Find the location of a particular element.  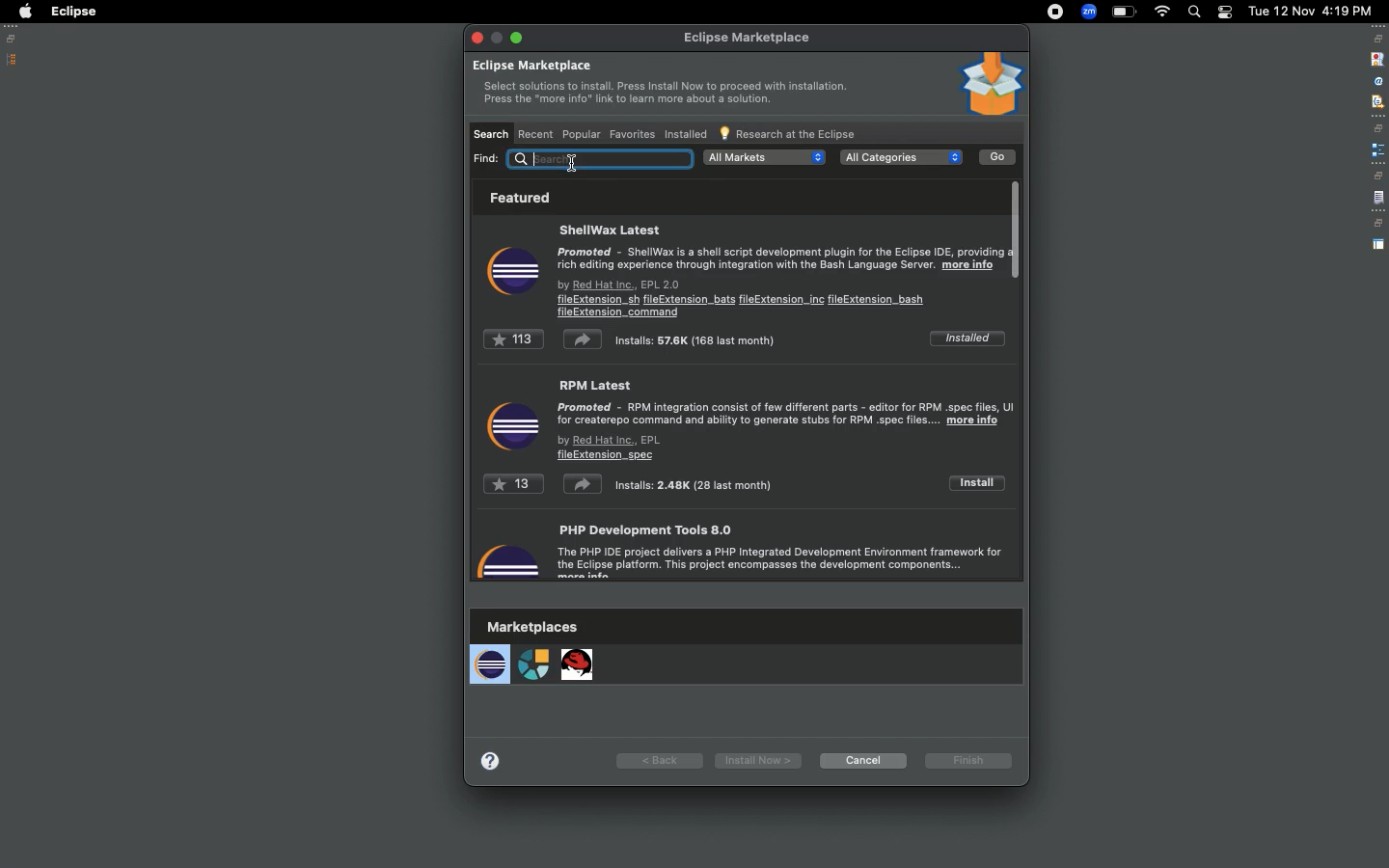

Recording is located at coordinates (1055, 14).